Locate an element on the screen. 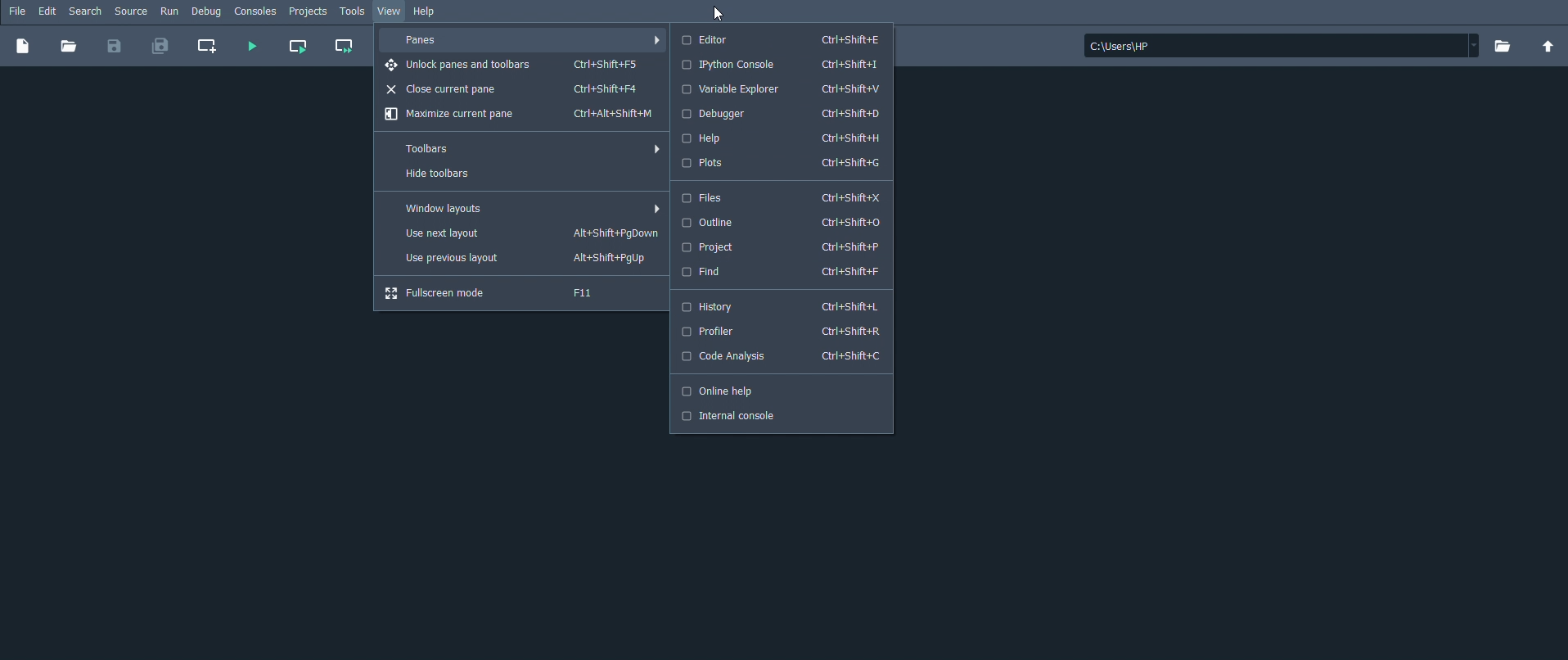 The height and width of the screenshot is (660, 1568). Change to parent directory is located at coordinates (1548, 47).